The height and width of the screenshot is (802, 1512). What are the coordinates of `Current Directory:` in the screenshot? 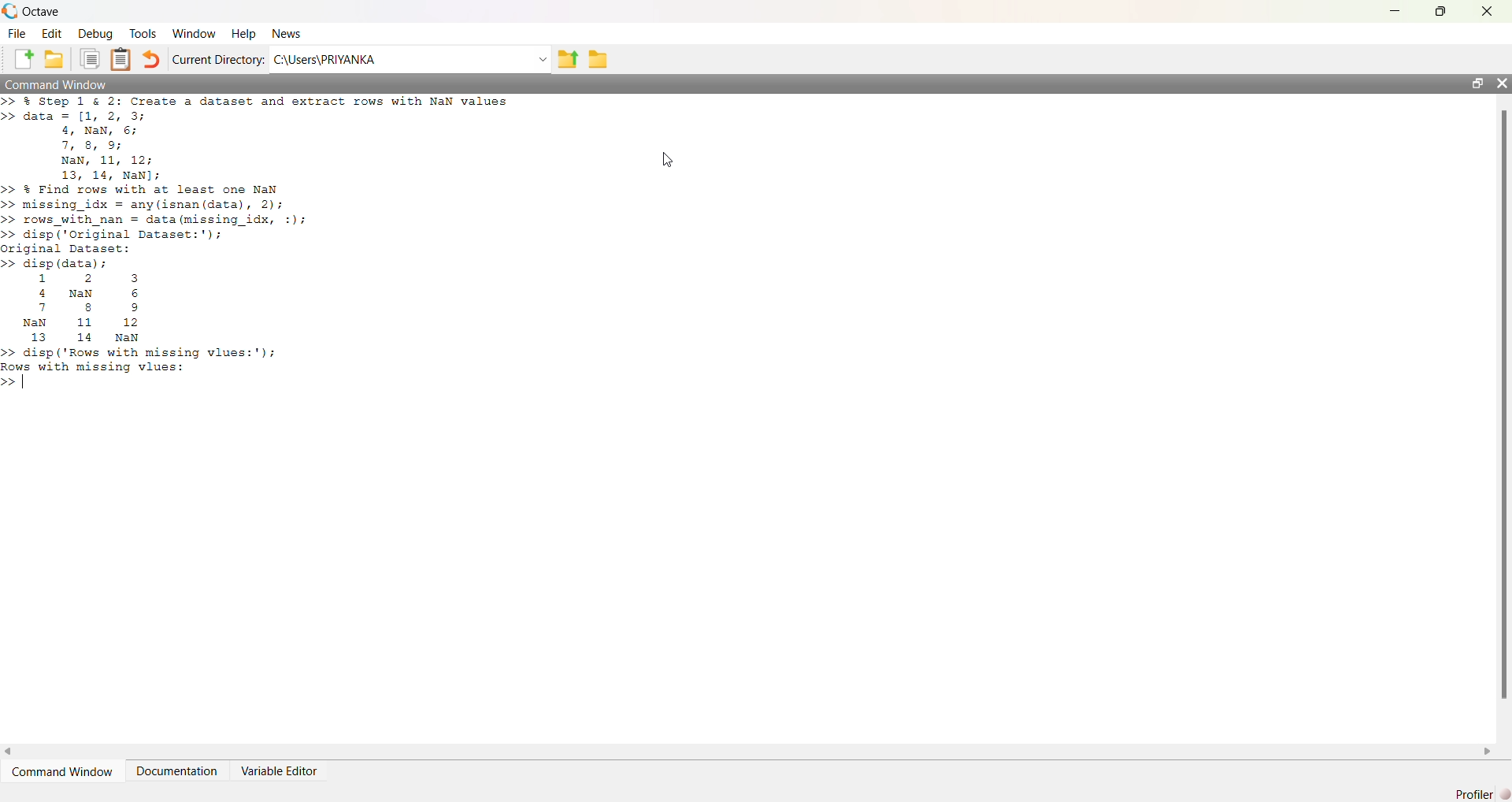 It's located at (219, 59).